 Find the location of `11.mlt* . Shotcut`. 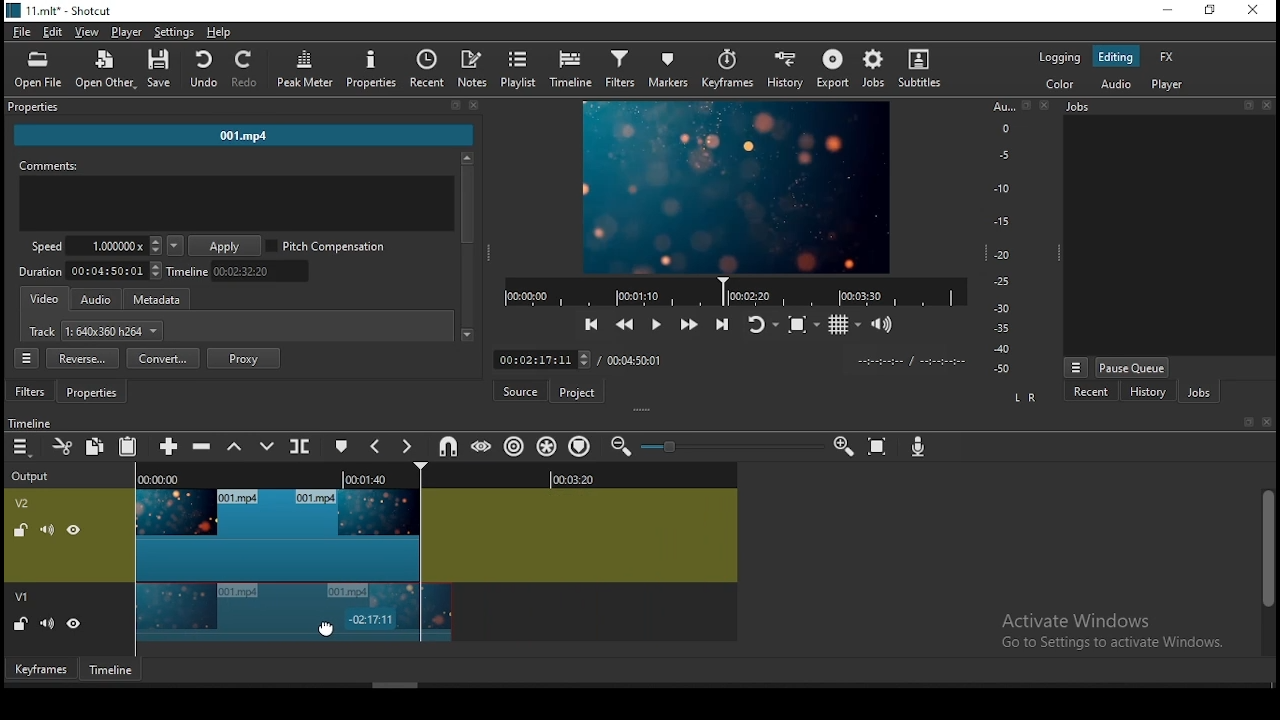

11.mlt* . Shotcut is located at coordinates (59, 10).